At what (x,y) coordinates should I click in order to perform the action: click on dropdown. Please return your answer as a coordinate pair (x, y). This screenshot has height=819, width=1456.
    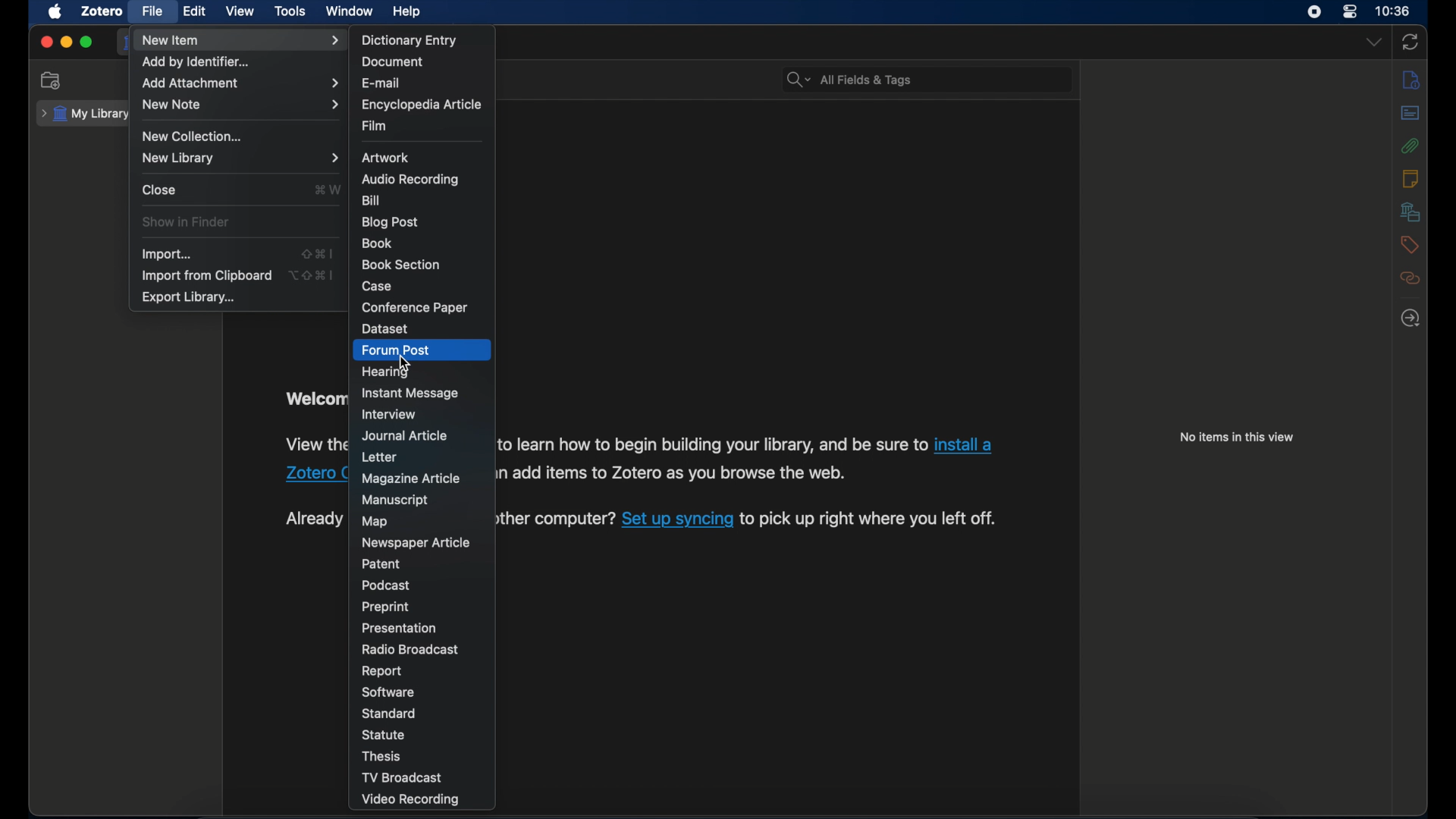
    Looking at the image, I should click on (1373, 42).